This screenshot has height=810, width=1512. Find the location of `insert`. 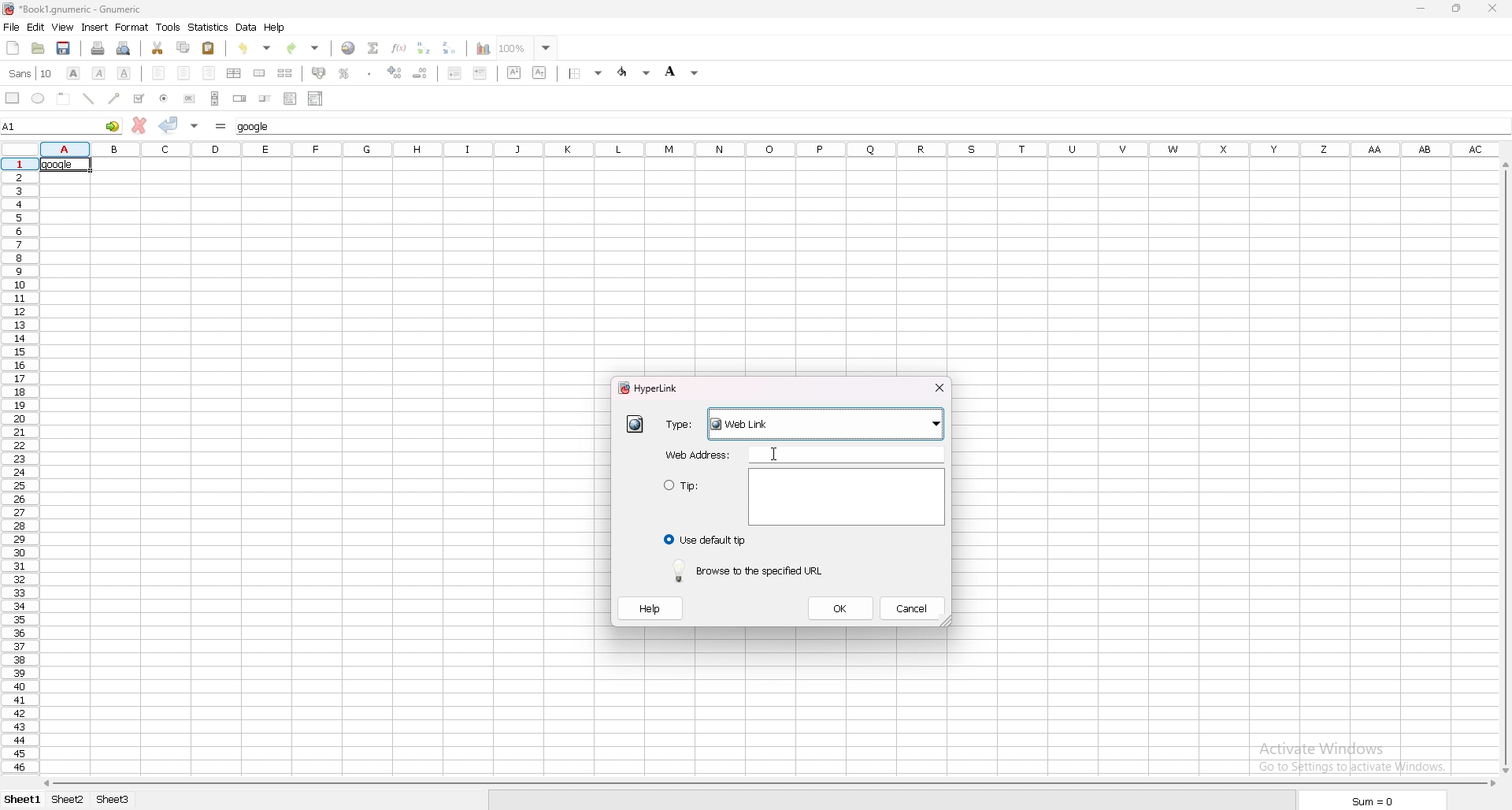

insert is located at coordinates (94, 28).